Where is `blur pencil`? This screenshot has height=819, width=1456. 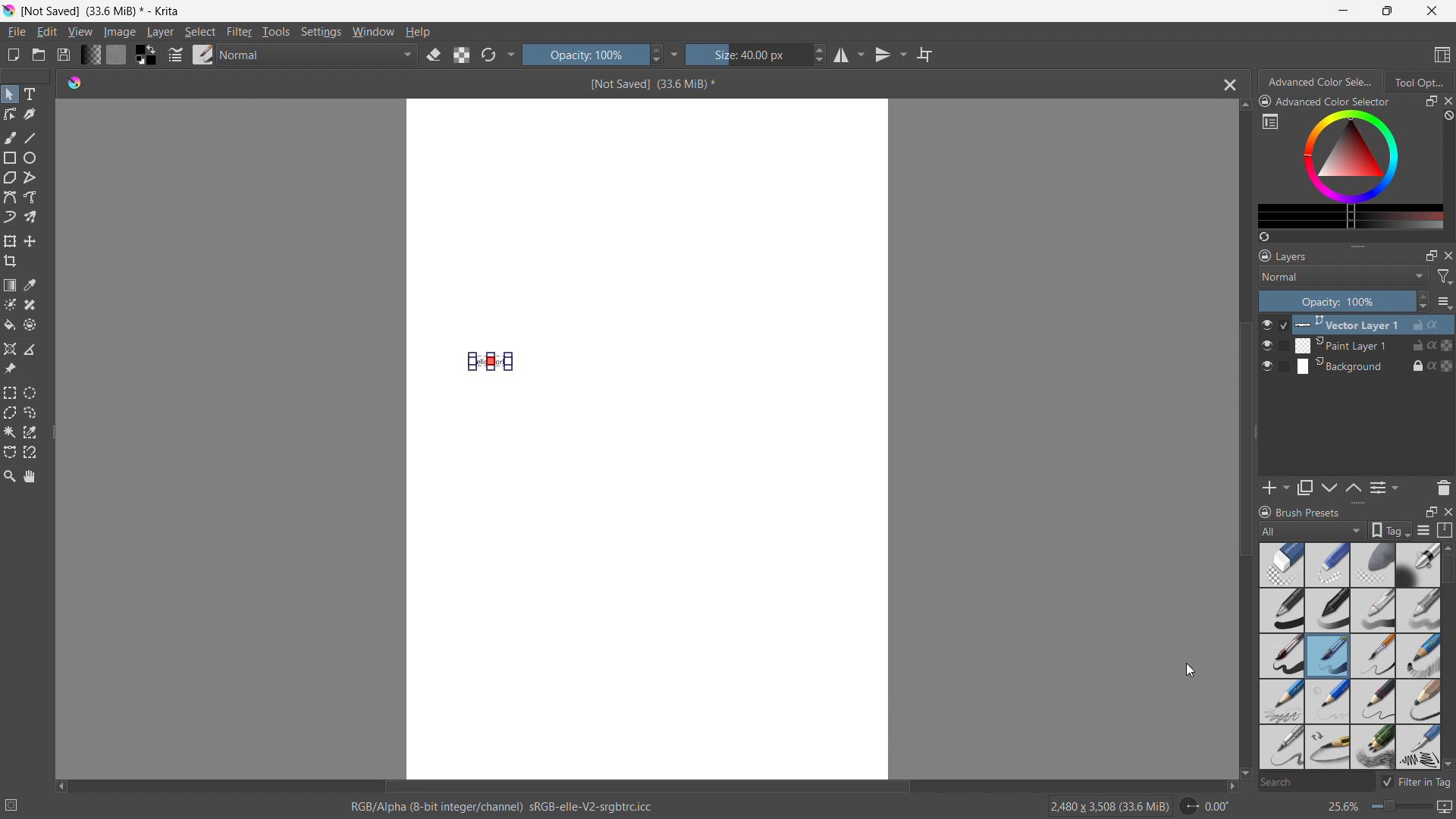
blur pencil is located at coordinates (1418, 609).